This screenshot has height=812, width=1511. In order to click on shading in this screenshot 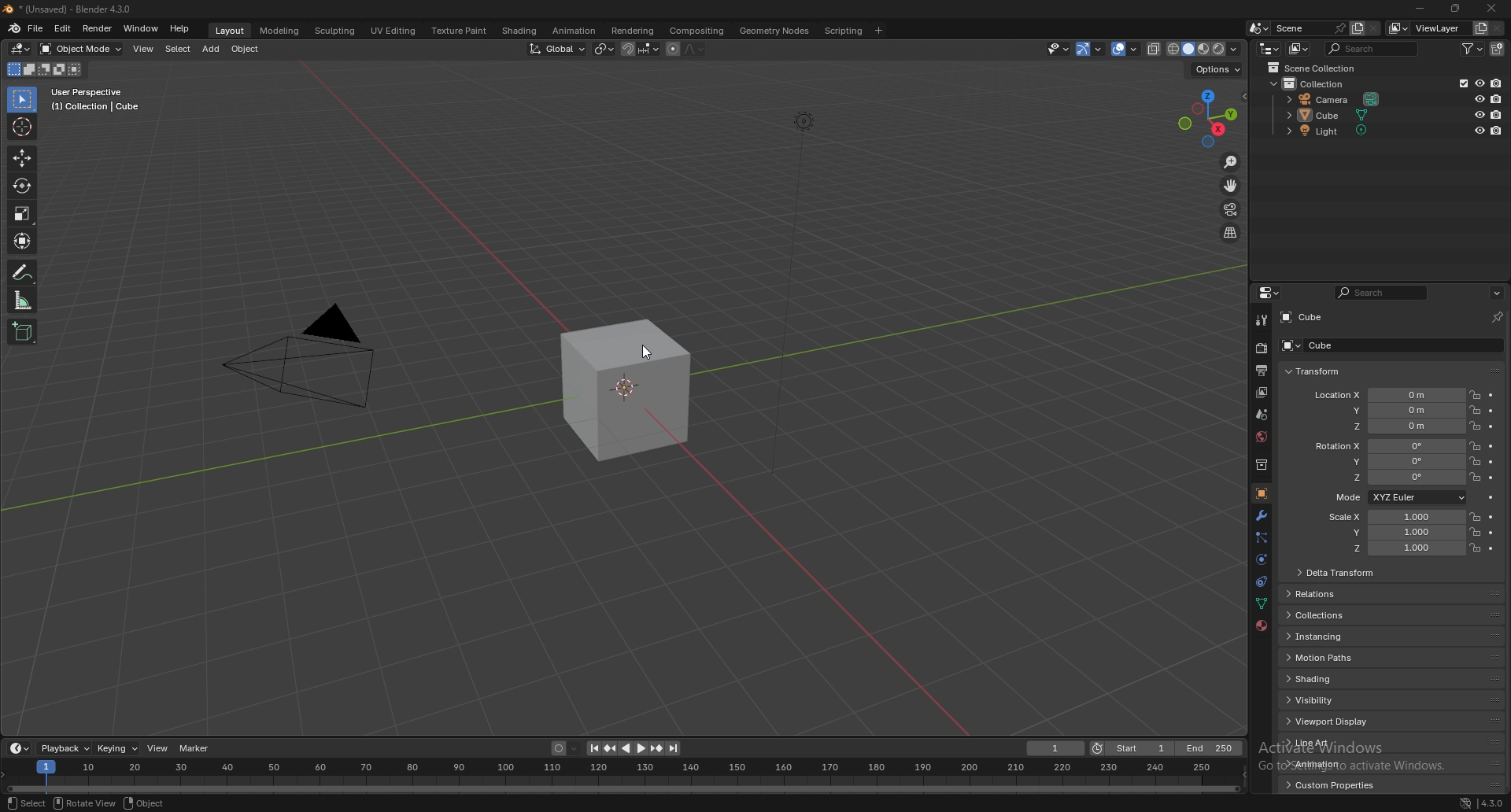, I will do `click(1329, 679)`.